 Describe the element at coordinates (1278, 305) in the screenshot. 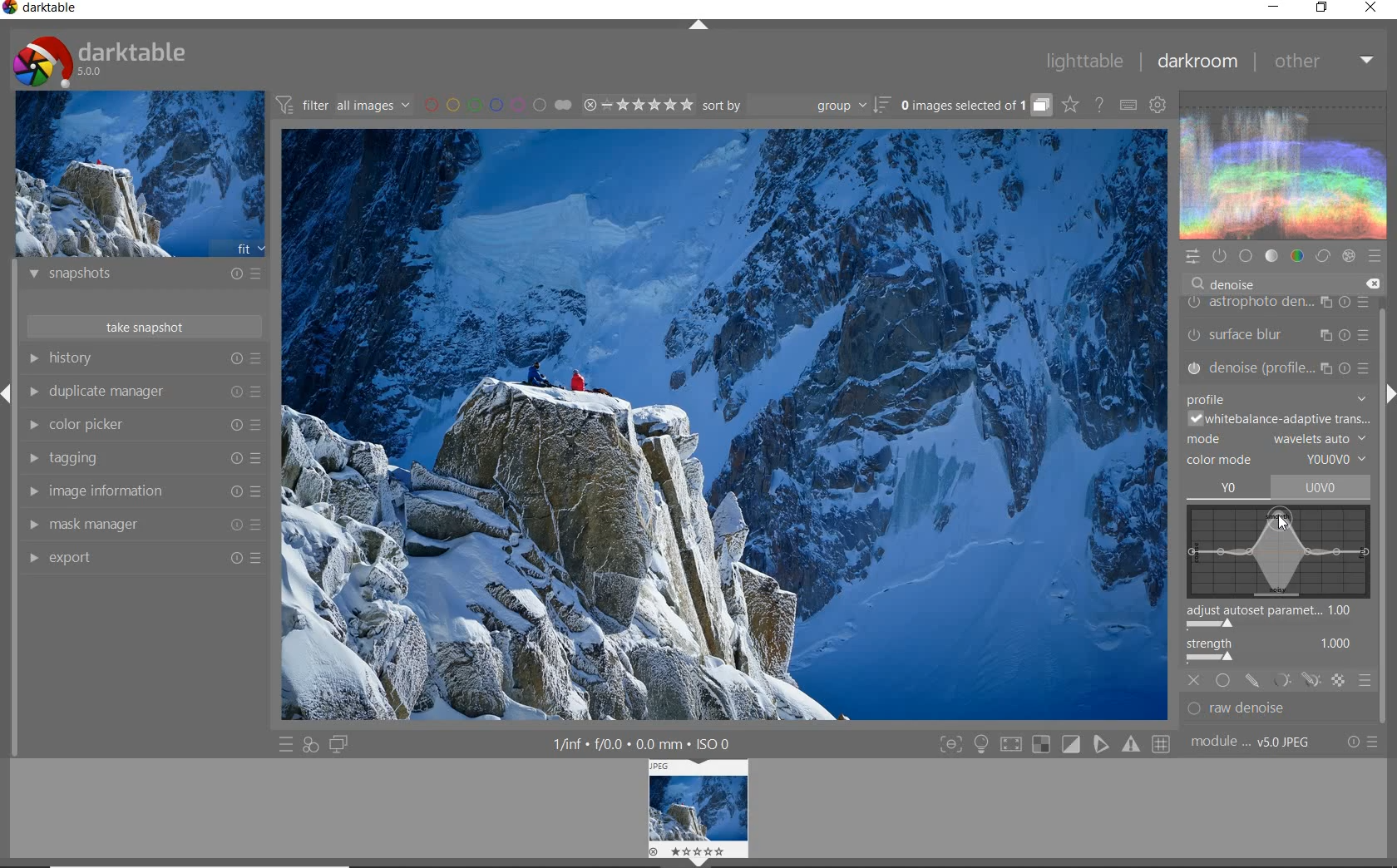

I see `astrophoto density` at that location.